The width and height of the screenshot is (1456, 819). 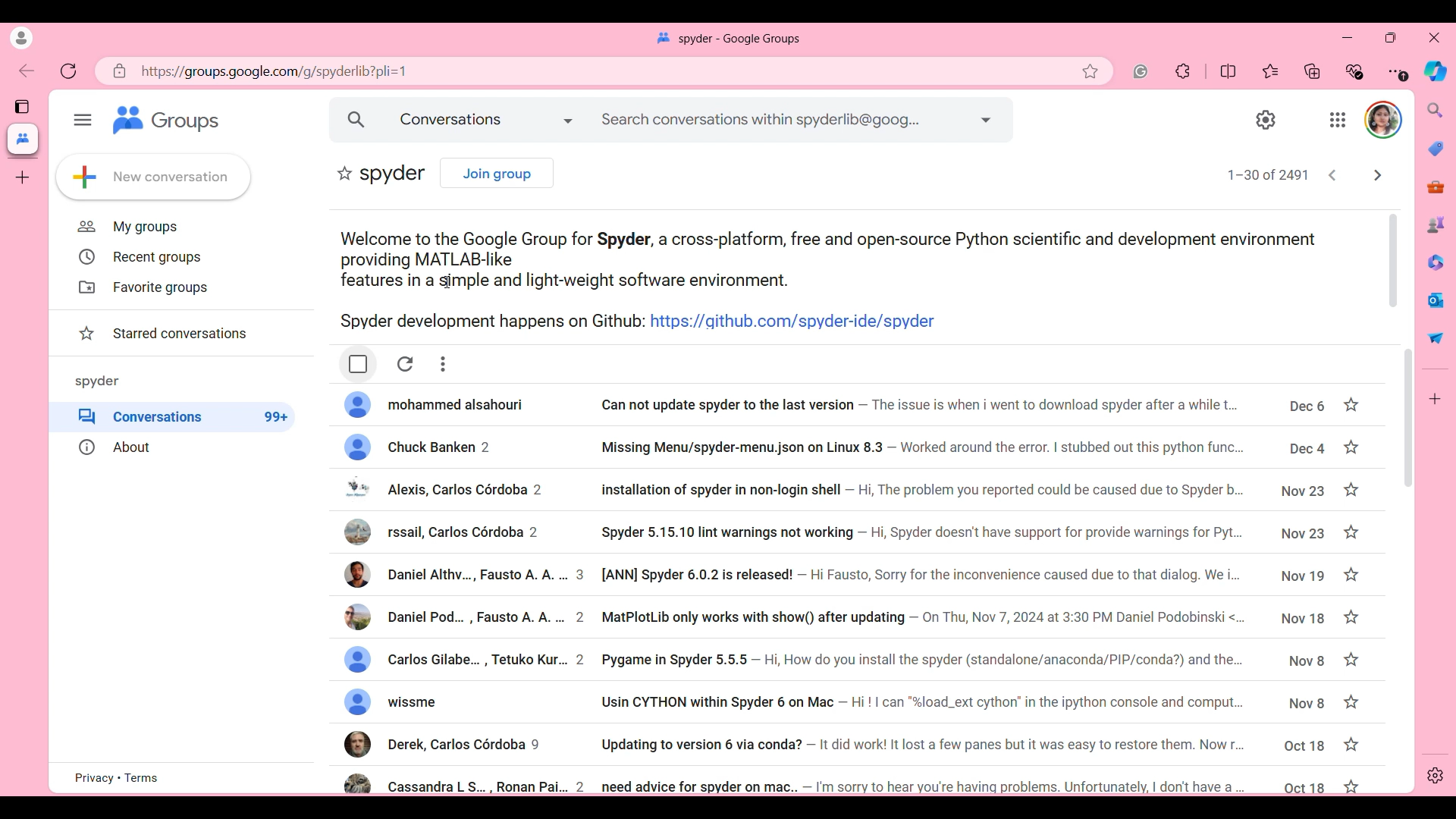 What do you see at coordinates (128, 227) in the screenshot?
I see `My groups` at bounding box center [128, 227].